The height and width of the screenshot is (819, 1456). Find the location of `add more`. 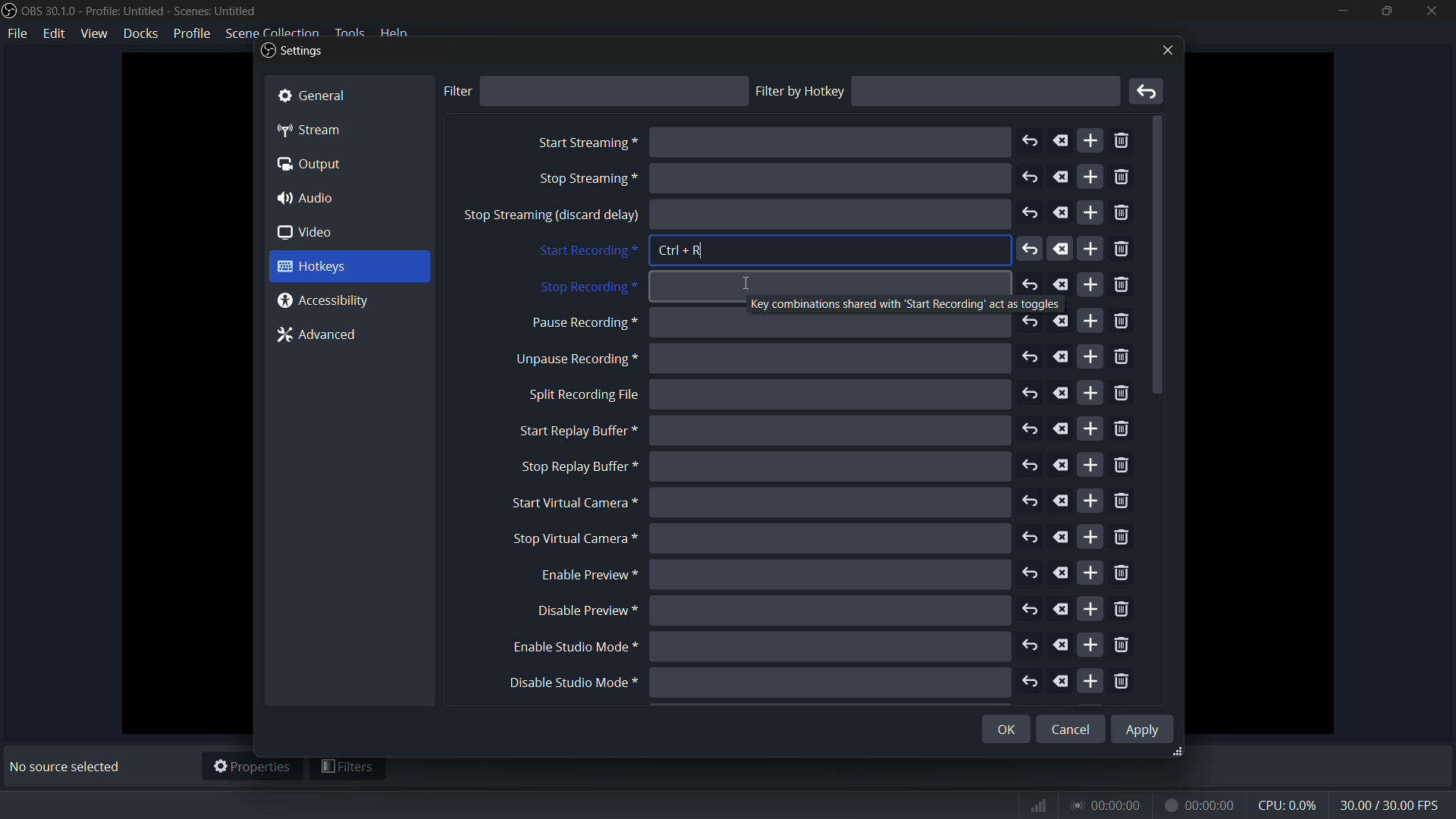

add more is located at coordinates (1088, 284).